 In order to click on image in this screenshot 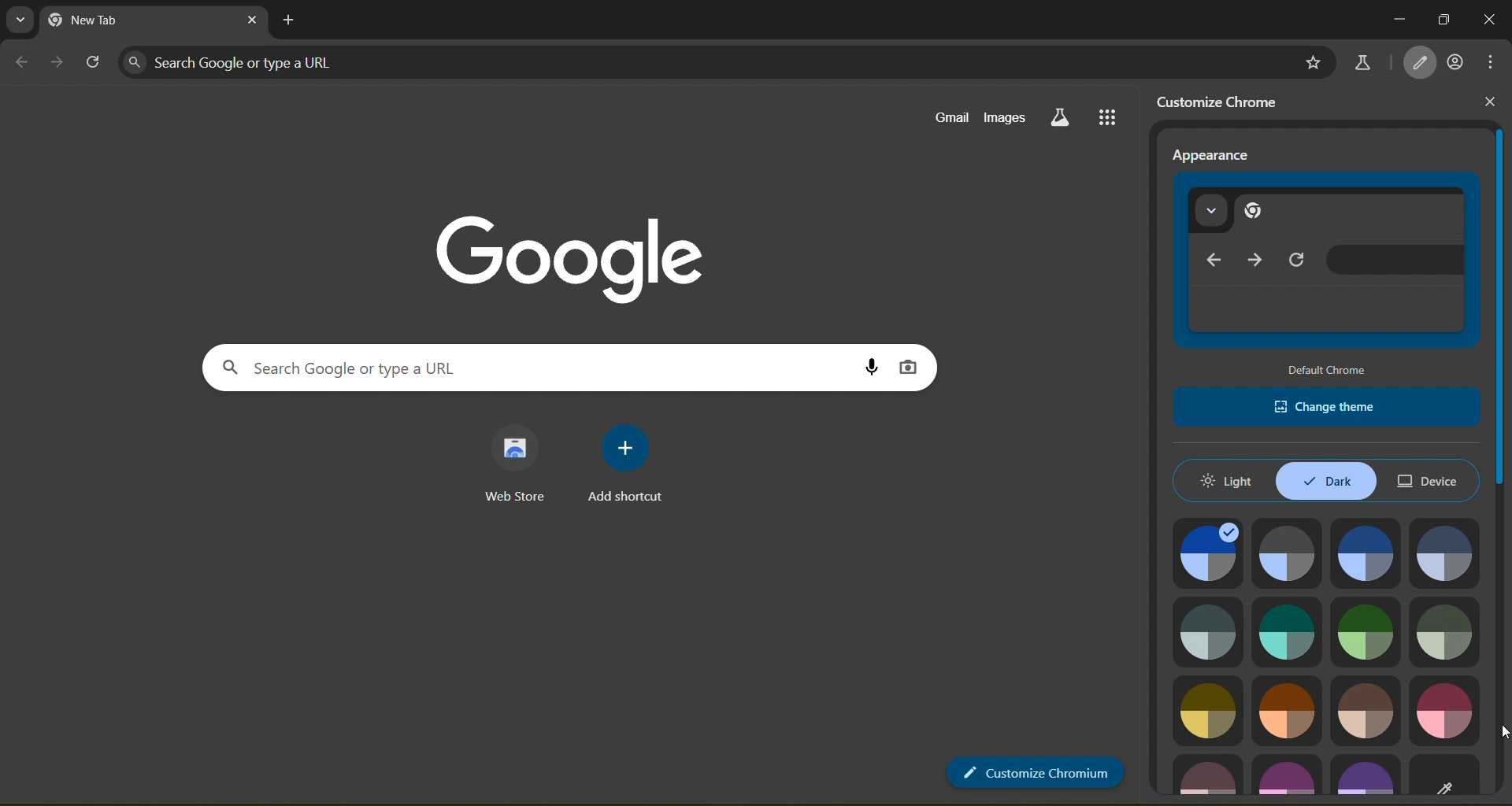, I will do `click(1445, 552)`.